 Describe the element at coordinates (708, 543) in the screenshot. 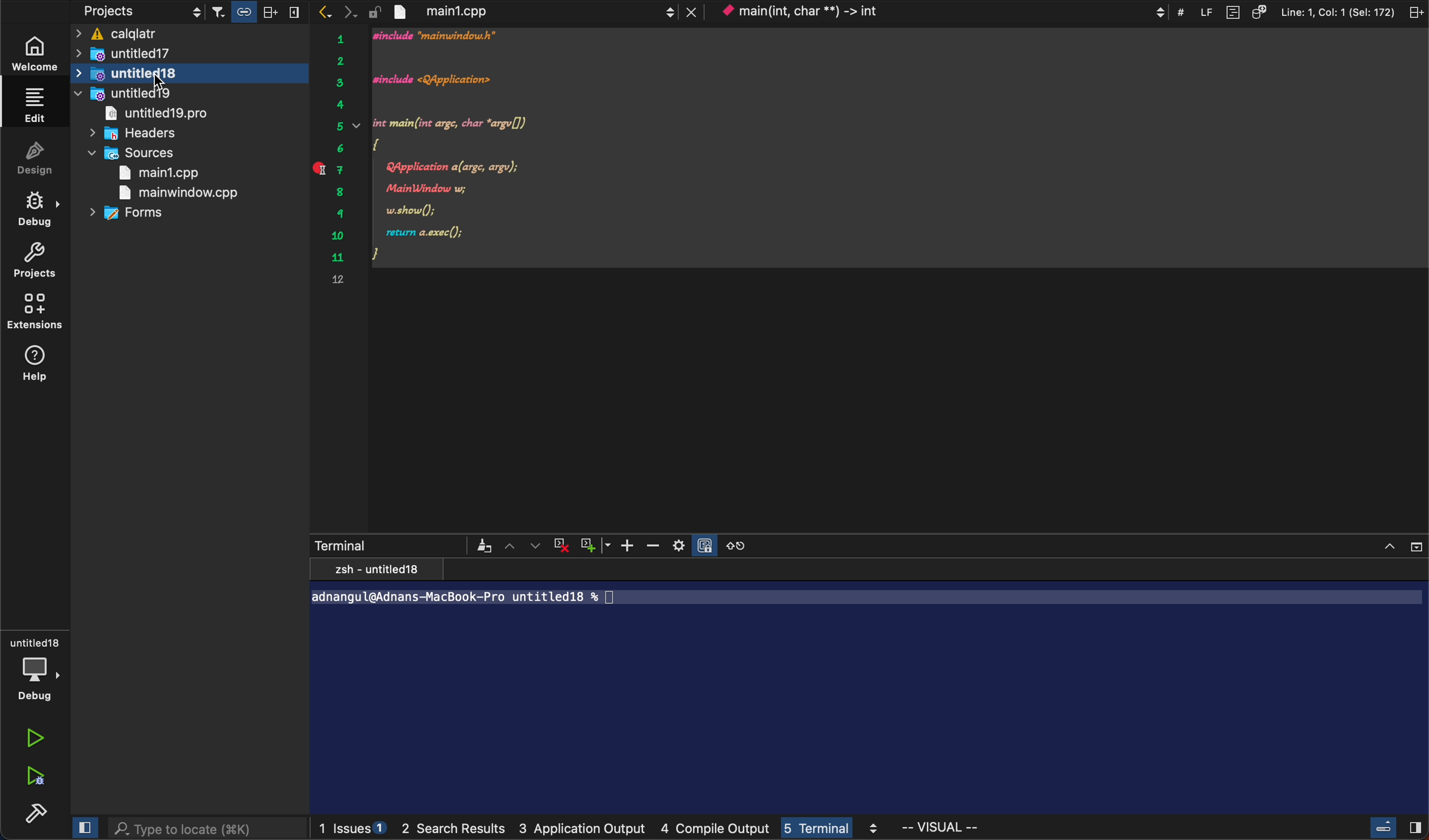

I see `` at that location.